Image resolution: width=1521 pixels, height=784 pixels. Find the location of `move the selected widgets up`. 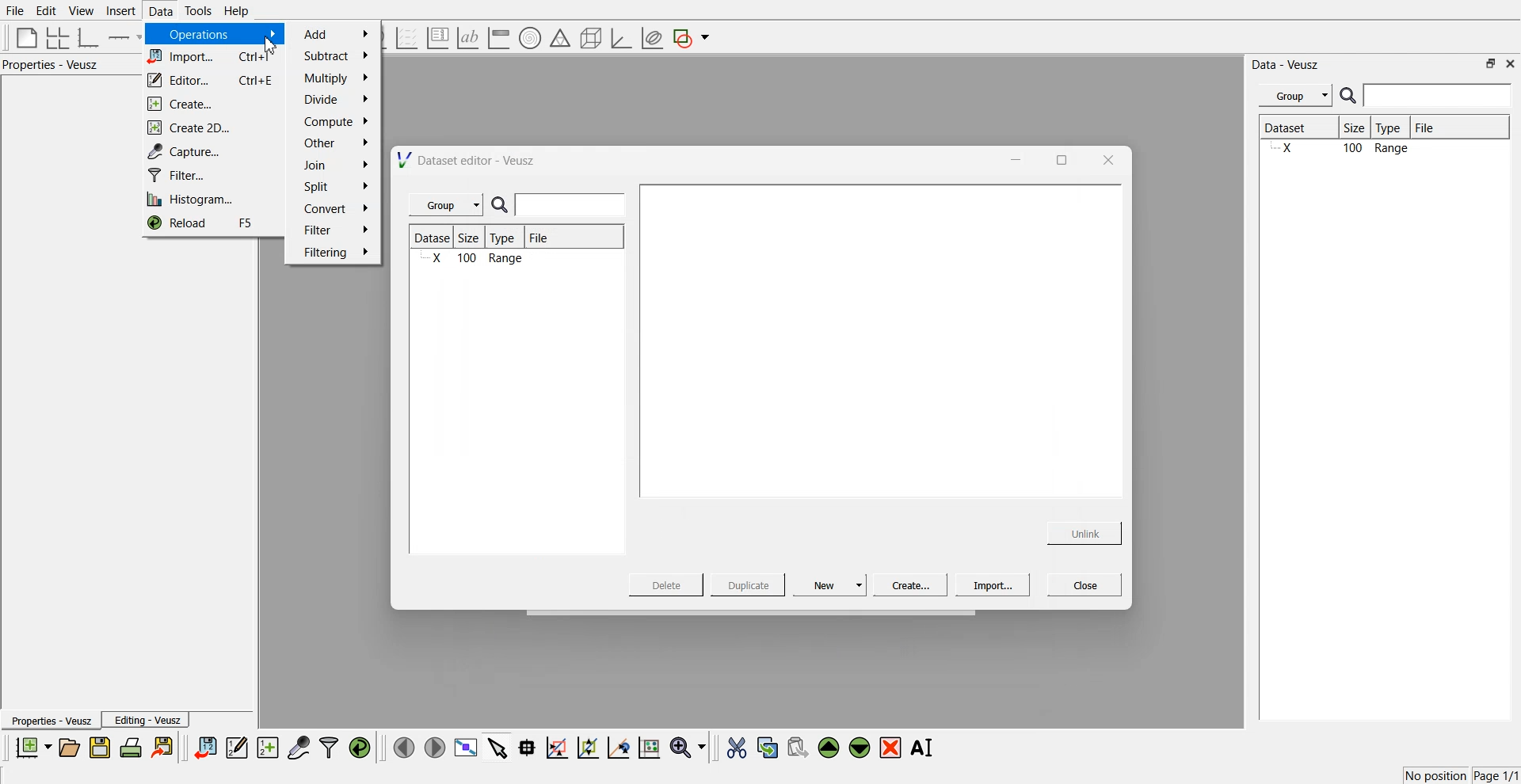

move the selected widgets up is located at coordinates (830, 748).